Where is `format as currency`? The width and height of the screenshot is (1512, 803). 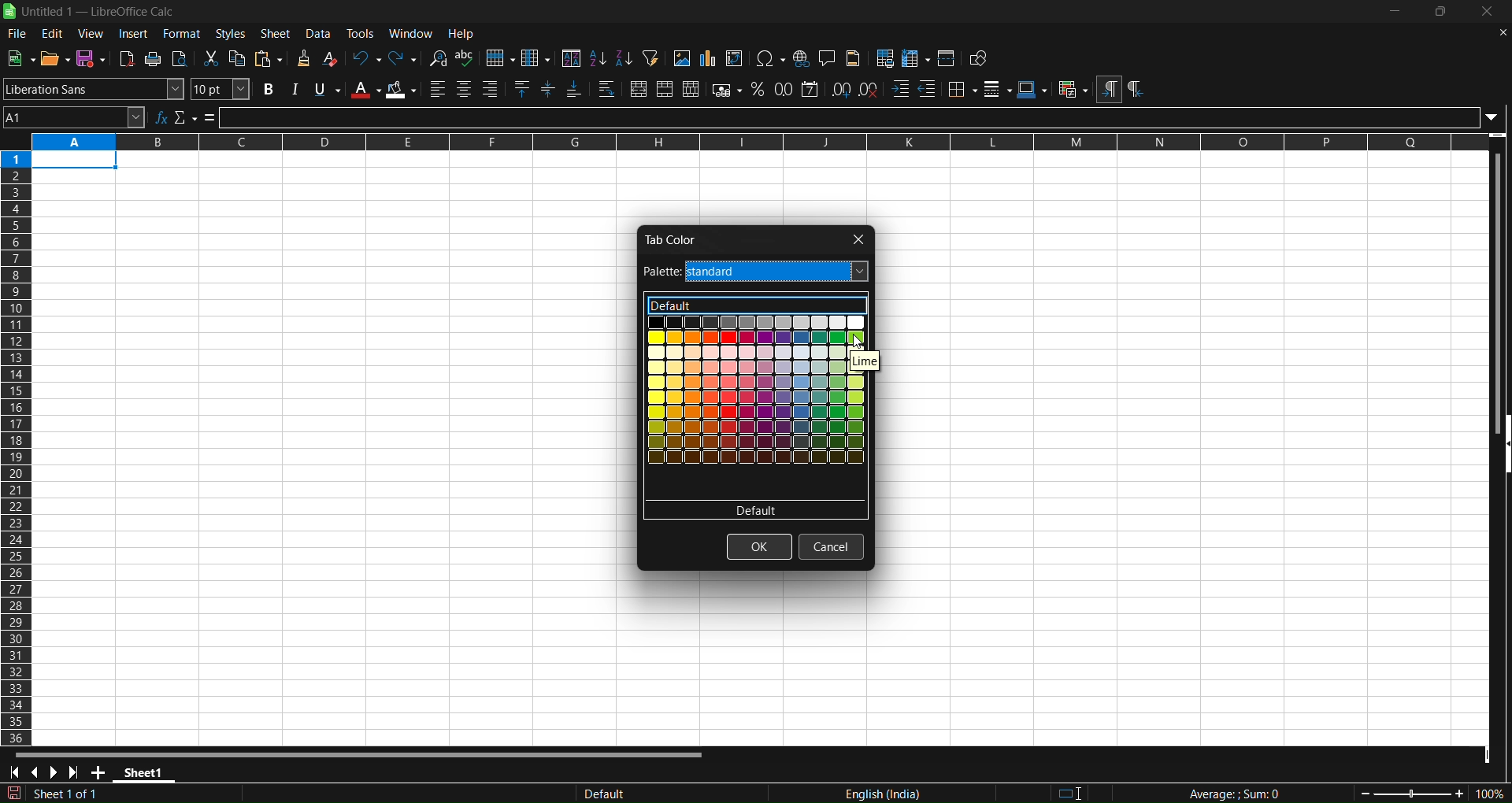 format as currency is located at coordinates (728, 91).